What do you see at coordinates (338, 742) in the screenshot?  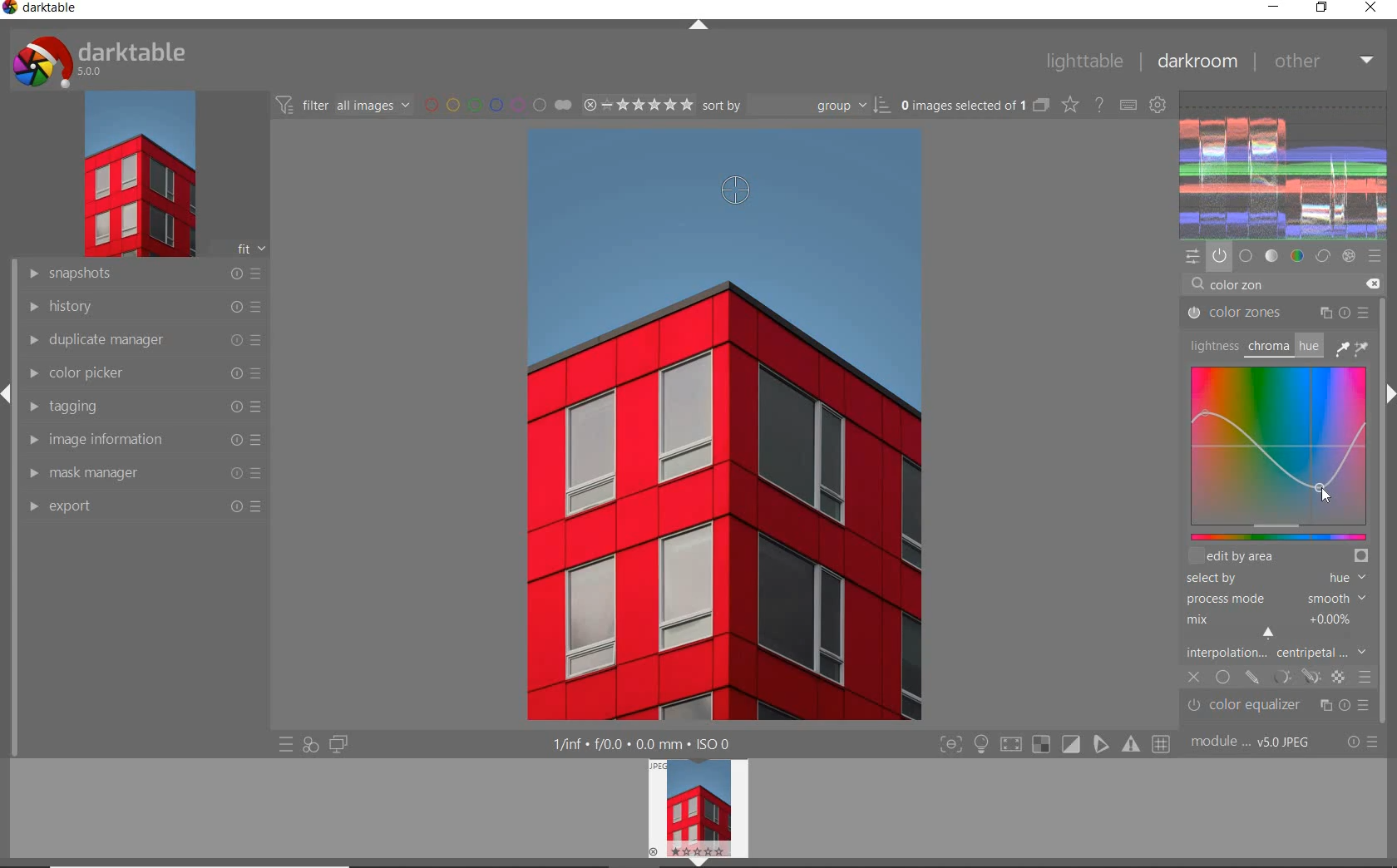 I see `display a second darkroom image widow` at bounding box center [338, 742].